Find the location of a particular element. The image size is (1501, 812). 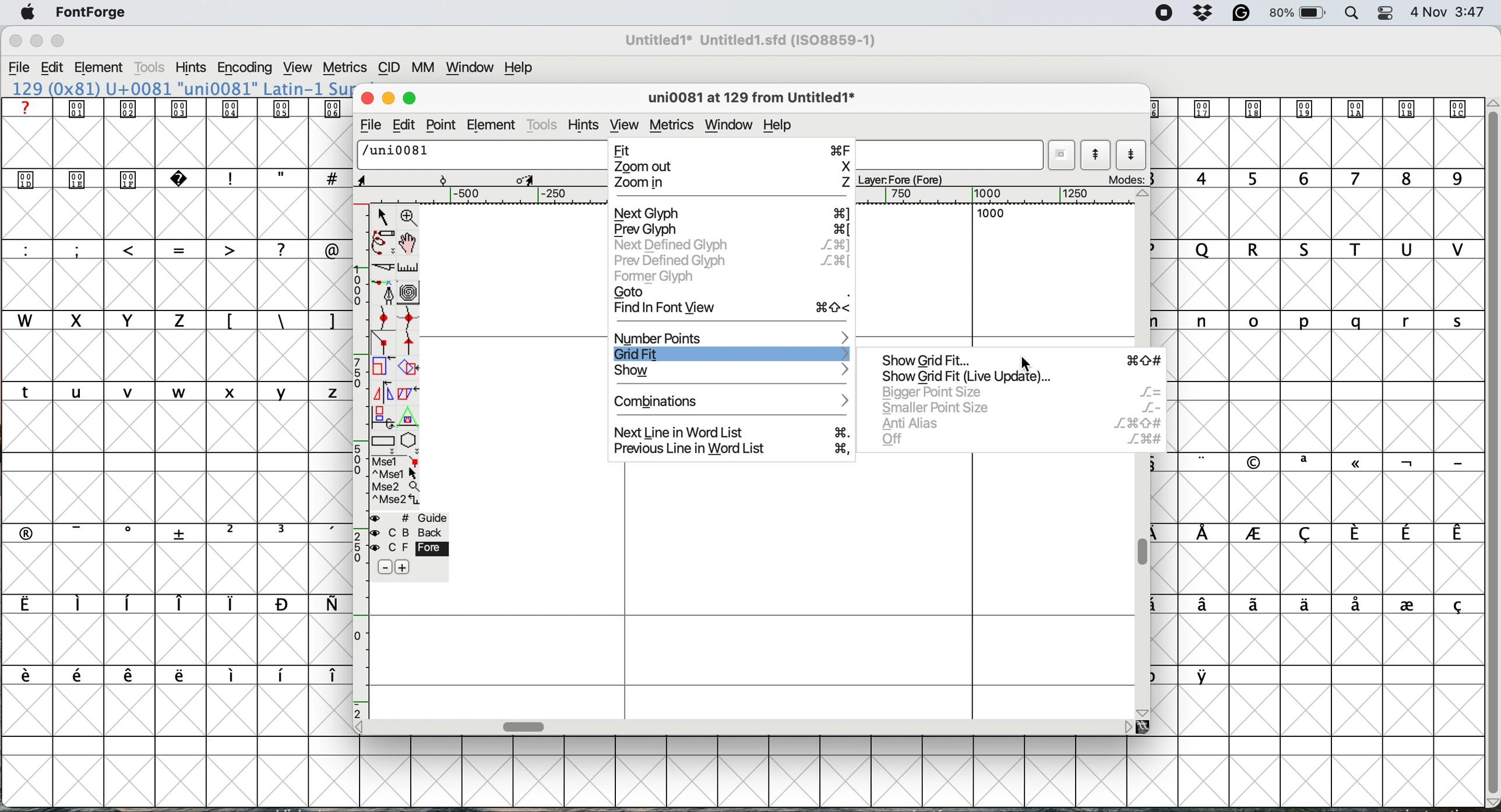

scroll by hand is located at coordinates (407, 242).